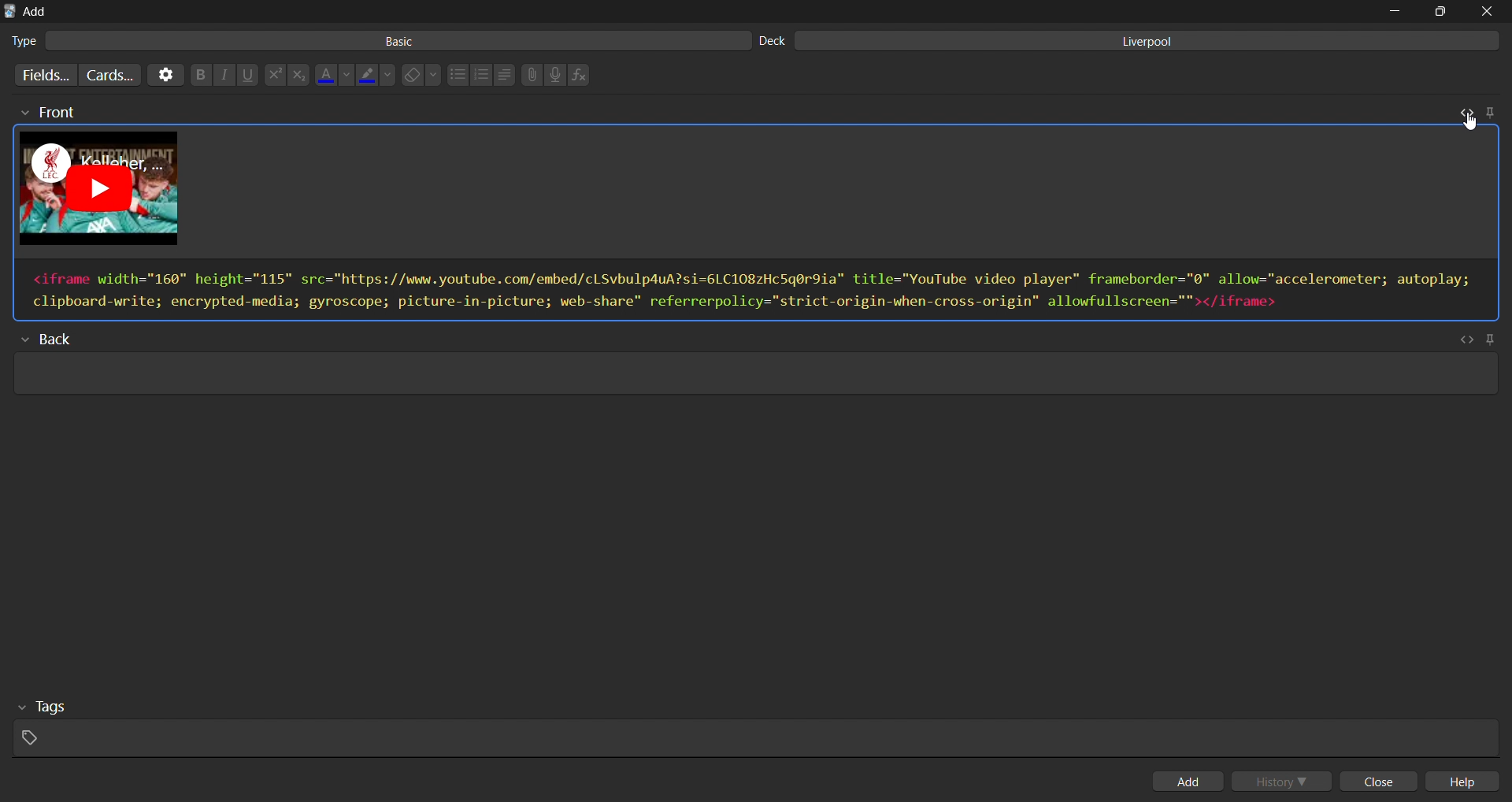  What do you see at coordinates (249, 75) in the screenshot?
I see `underline` at bounding box center [249, 75].